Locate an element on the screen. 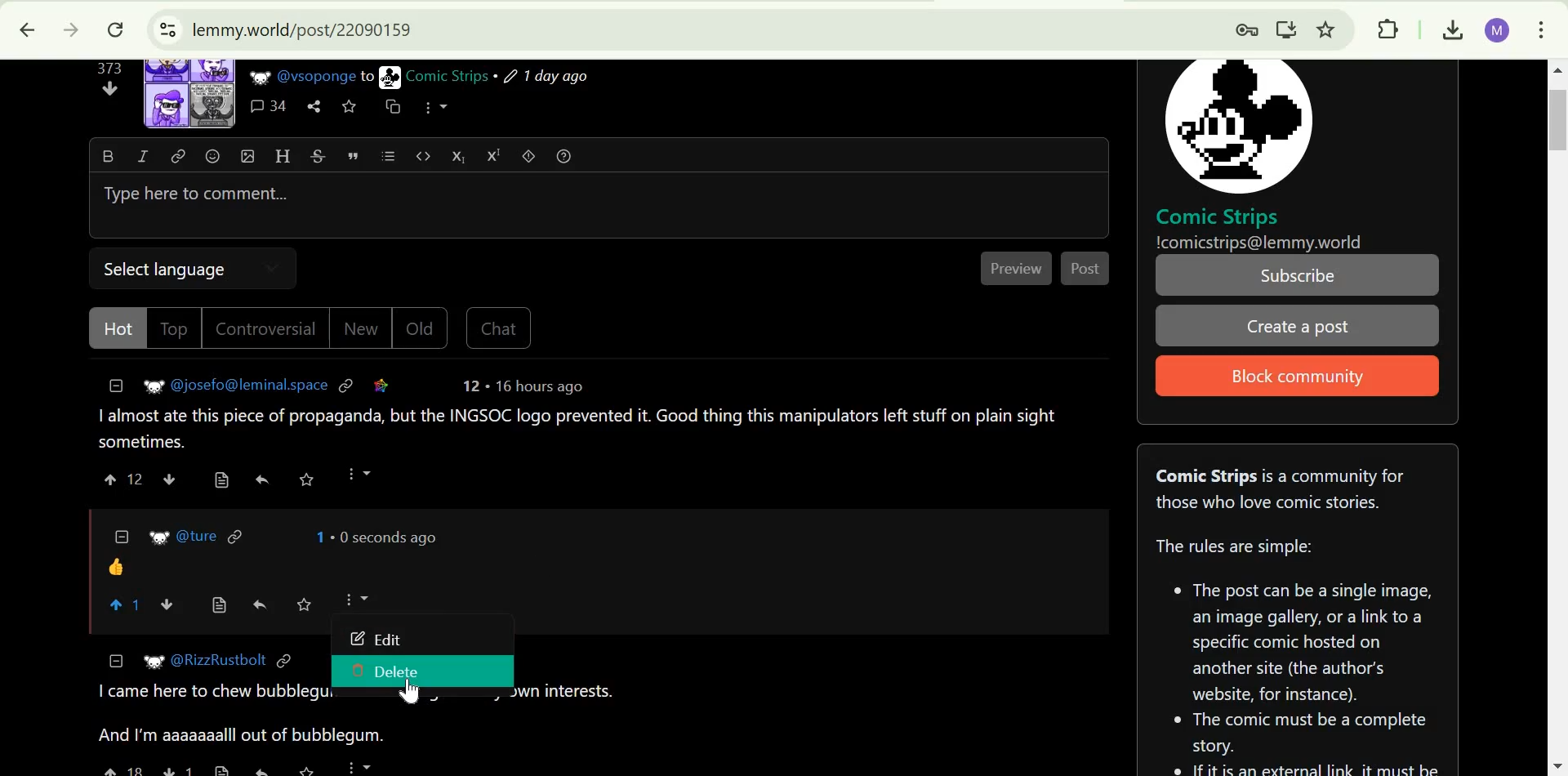 The image size is (1568, 776). 12 points is located at coordinates (470, 386).